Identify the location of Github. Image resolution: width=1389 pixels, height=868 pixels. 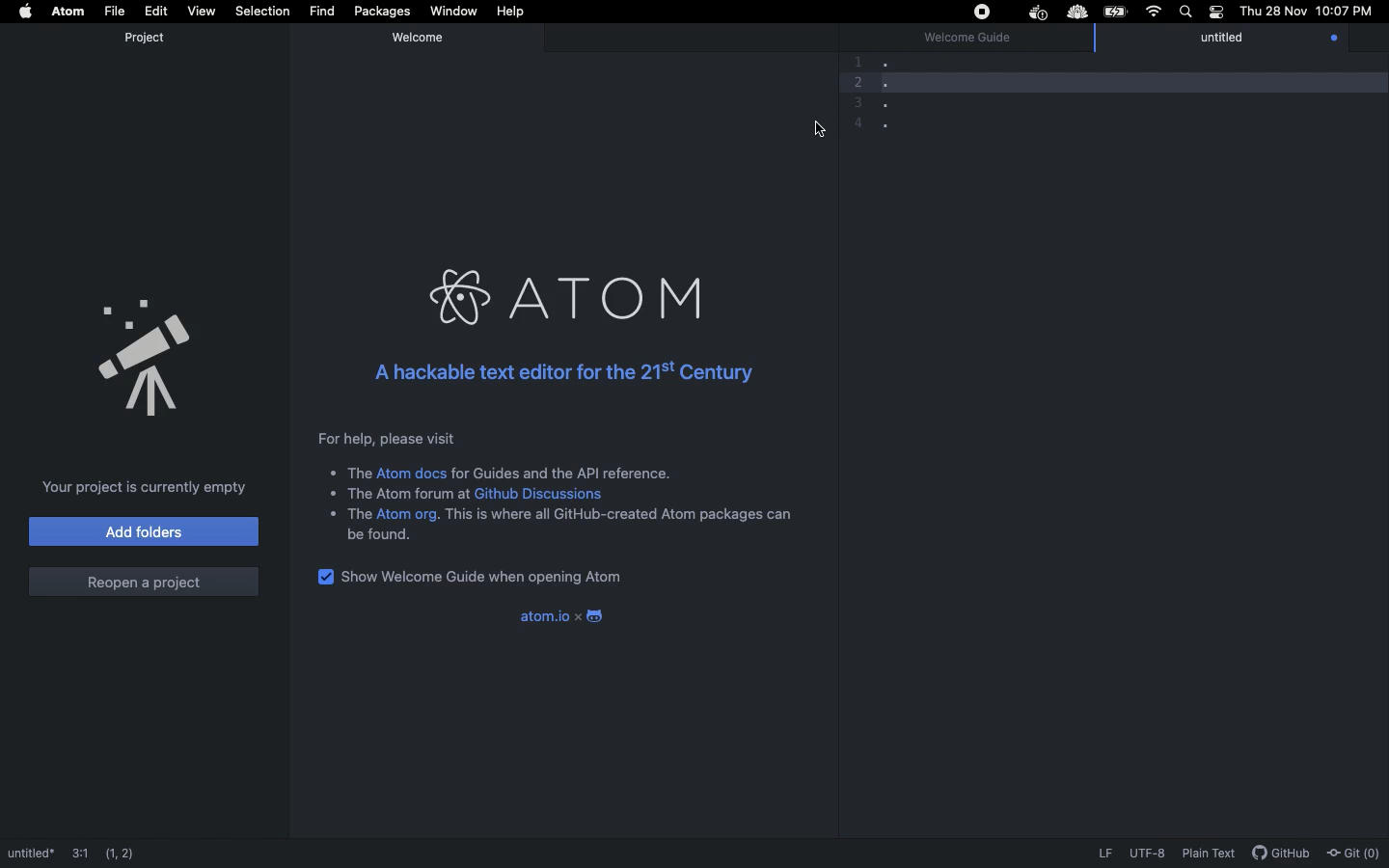
(1279, 853).